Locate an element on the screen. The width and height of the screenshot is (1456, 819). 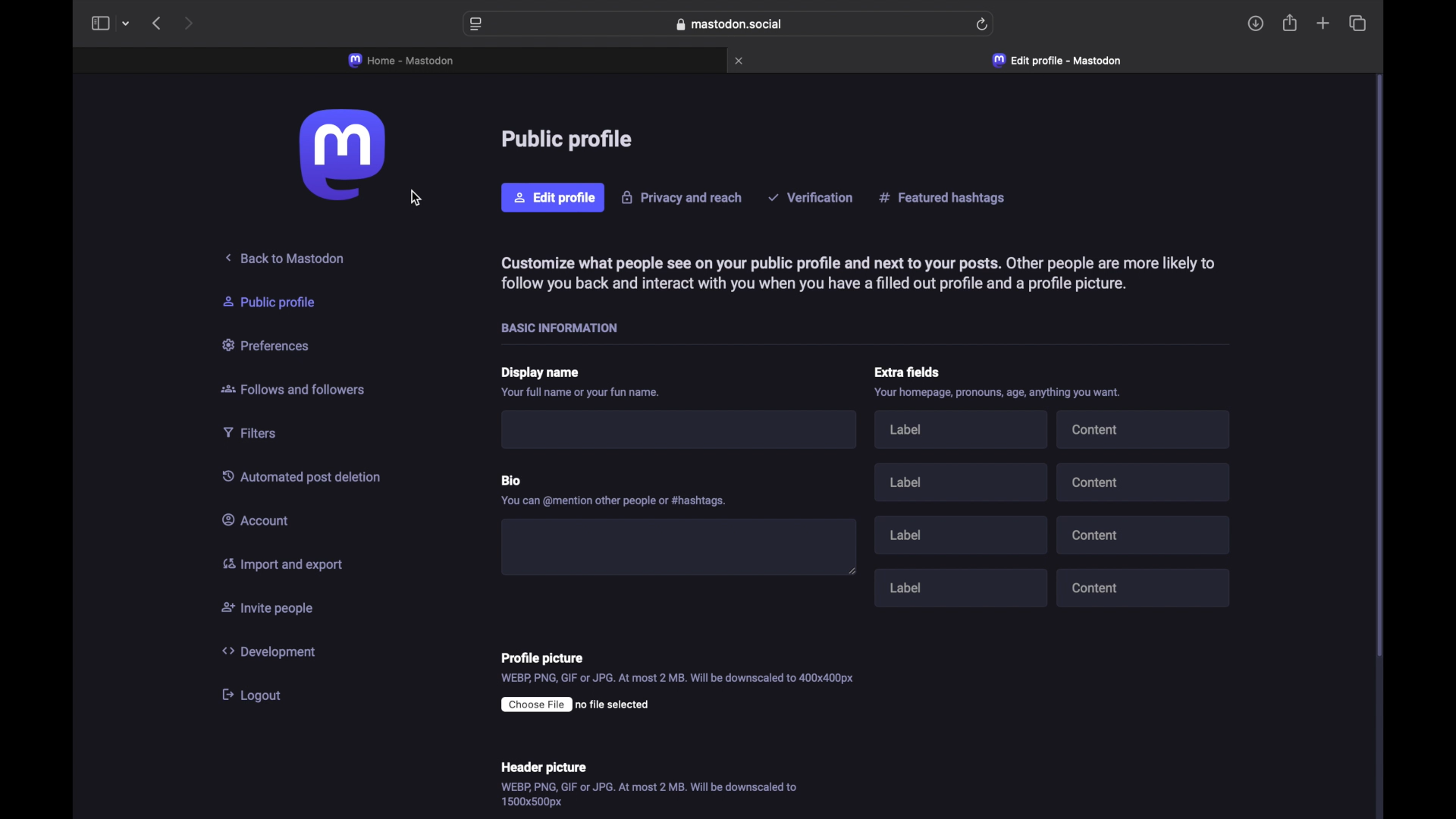
show tab overview is located at coordinates (1357, 23).